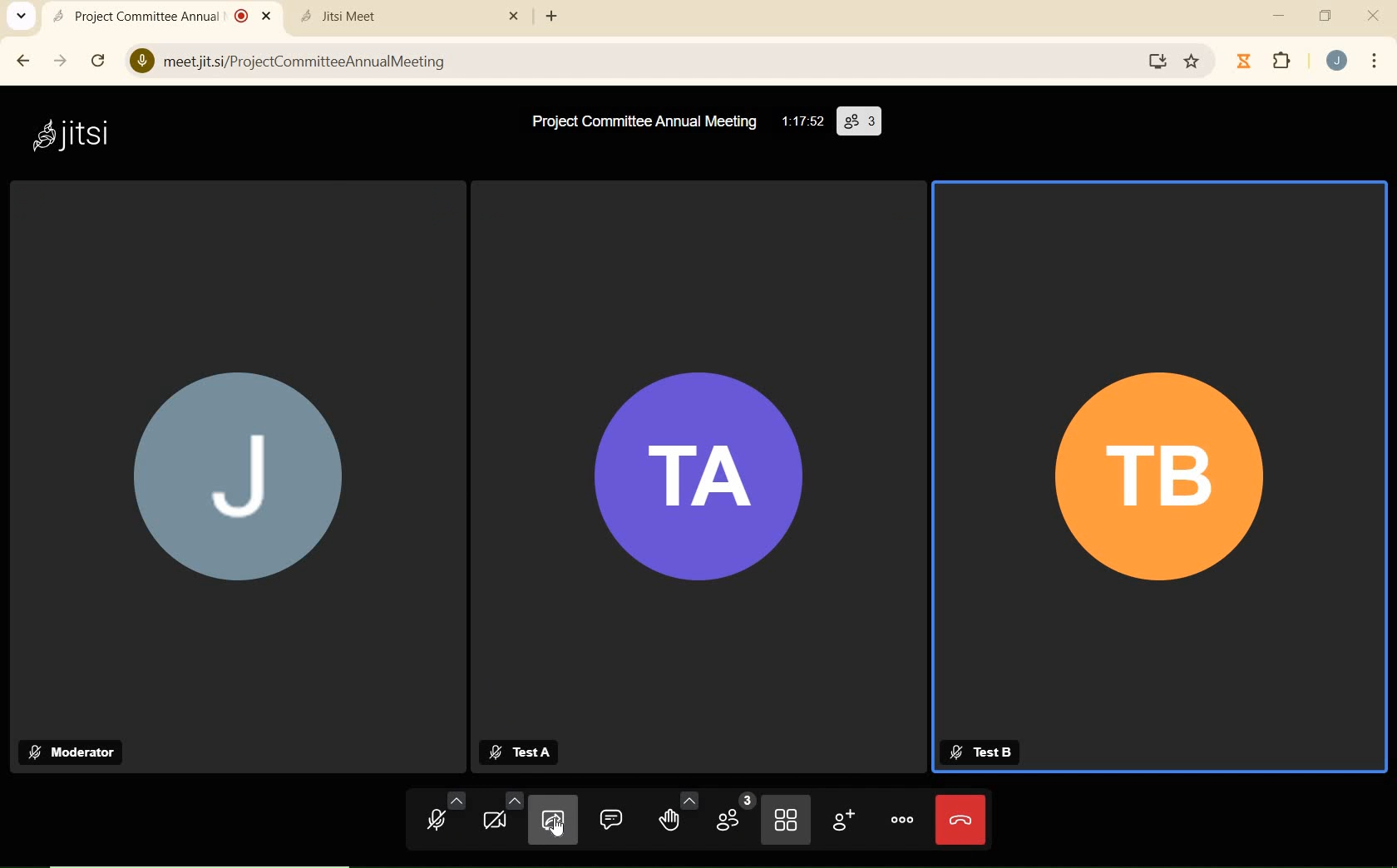 This screenshot has height=868, width=1397. Describe the element at coordinates (859, 120) in the screenshot. I see `participants (3)` at that location.